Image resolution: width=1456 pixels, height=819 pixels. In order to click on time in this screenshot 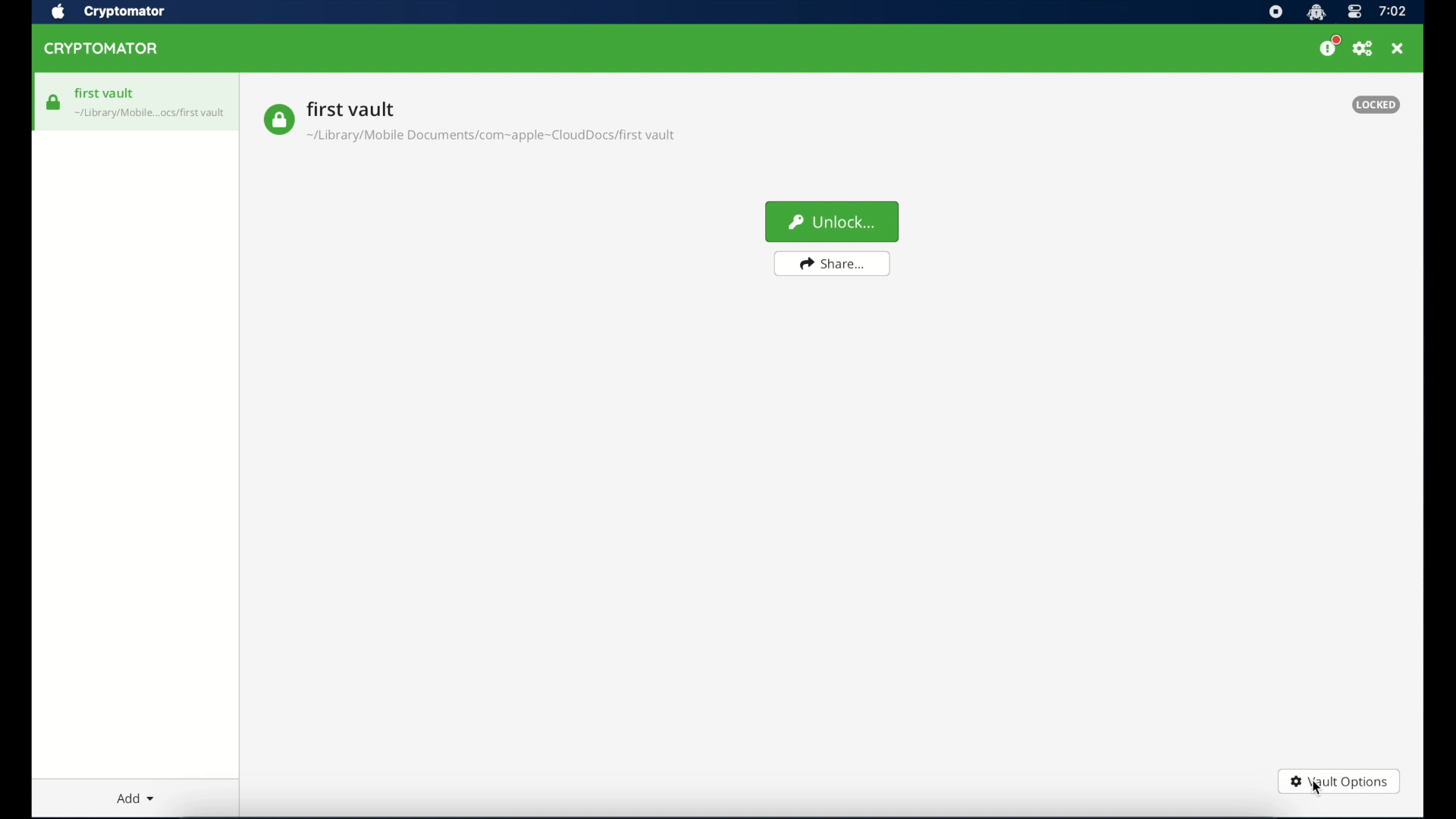, I will do `click(1392, 12)`.